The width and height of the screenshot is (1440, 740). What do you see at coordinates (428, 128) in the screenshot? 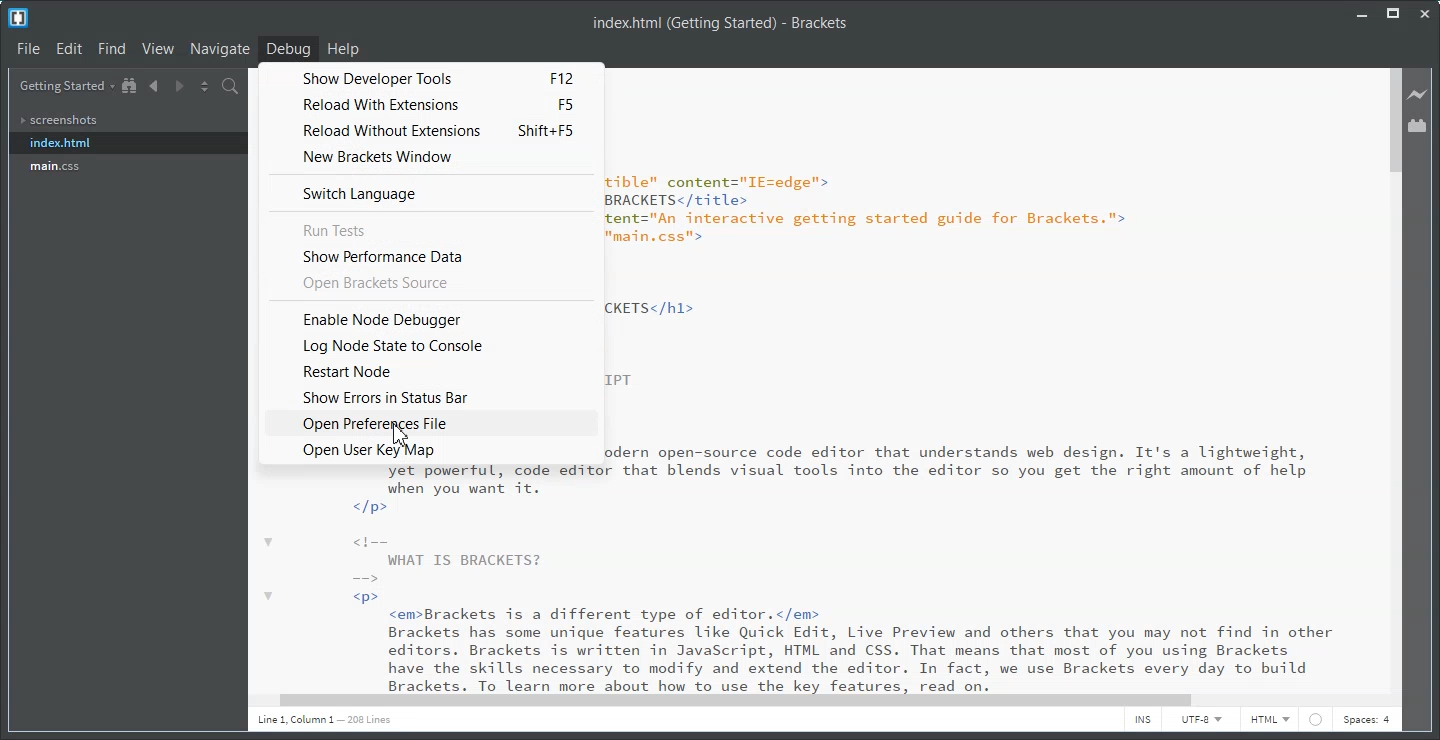
I see `Reload Without Extensions` at bounding box center [428, 128].